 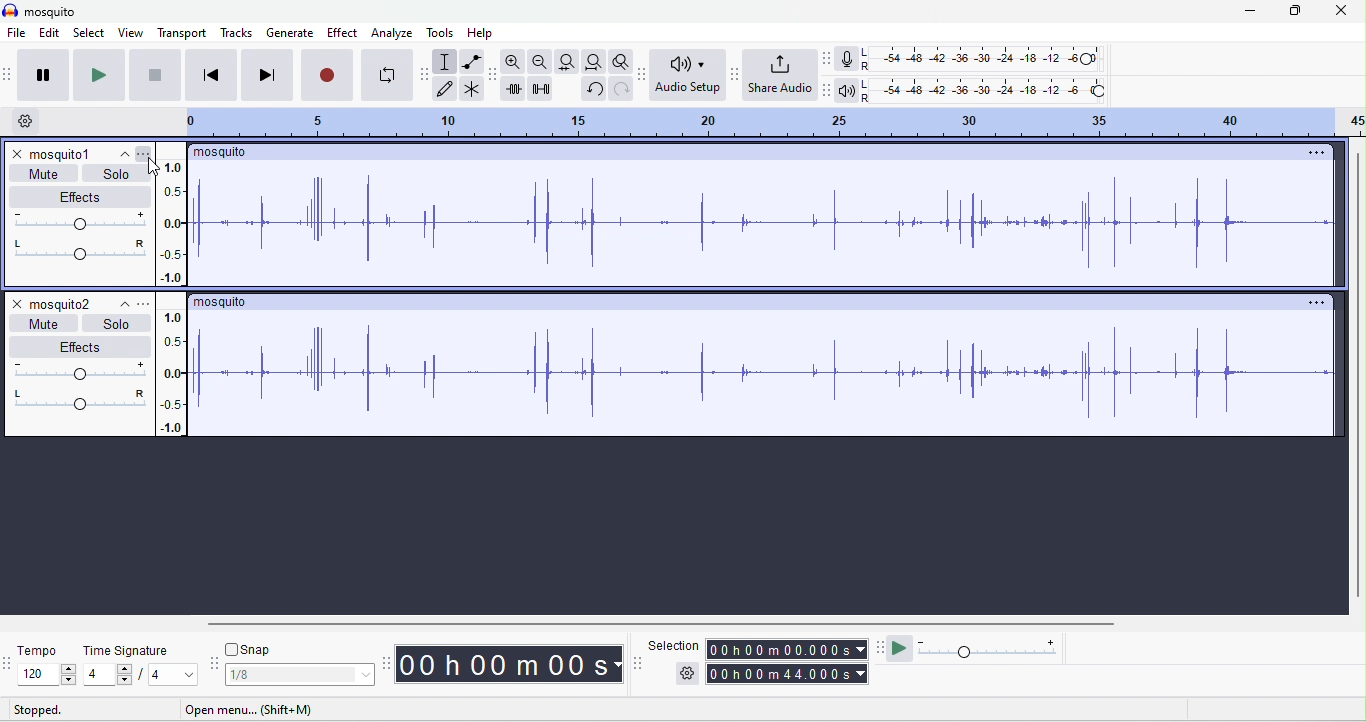 I want to click on transport, so click(x=181, y=33).